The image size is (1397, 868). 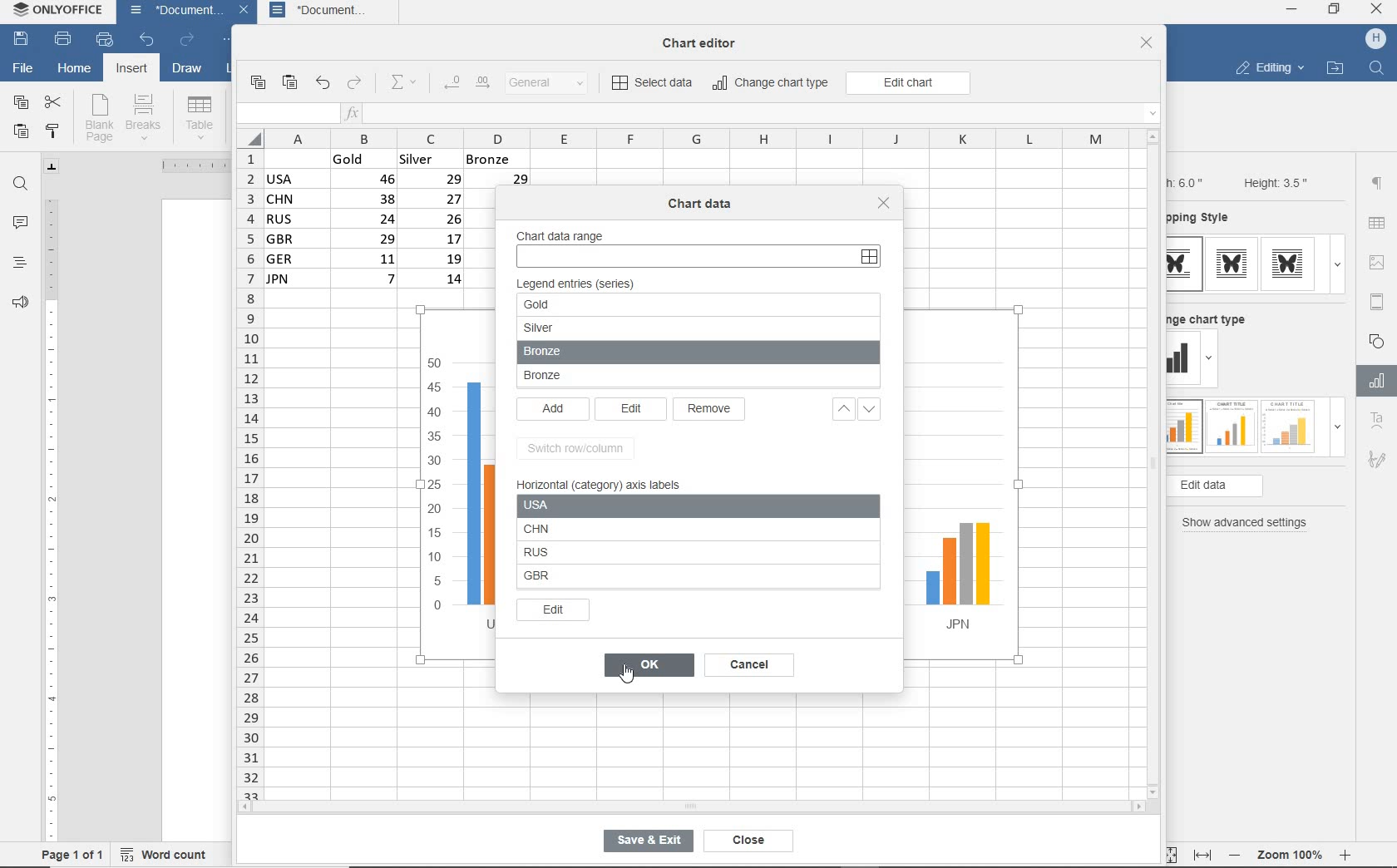 What do you see at coordinates (553, 84) in the screenshot?
I see `number format` at bounding box center [553, 84].